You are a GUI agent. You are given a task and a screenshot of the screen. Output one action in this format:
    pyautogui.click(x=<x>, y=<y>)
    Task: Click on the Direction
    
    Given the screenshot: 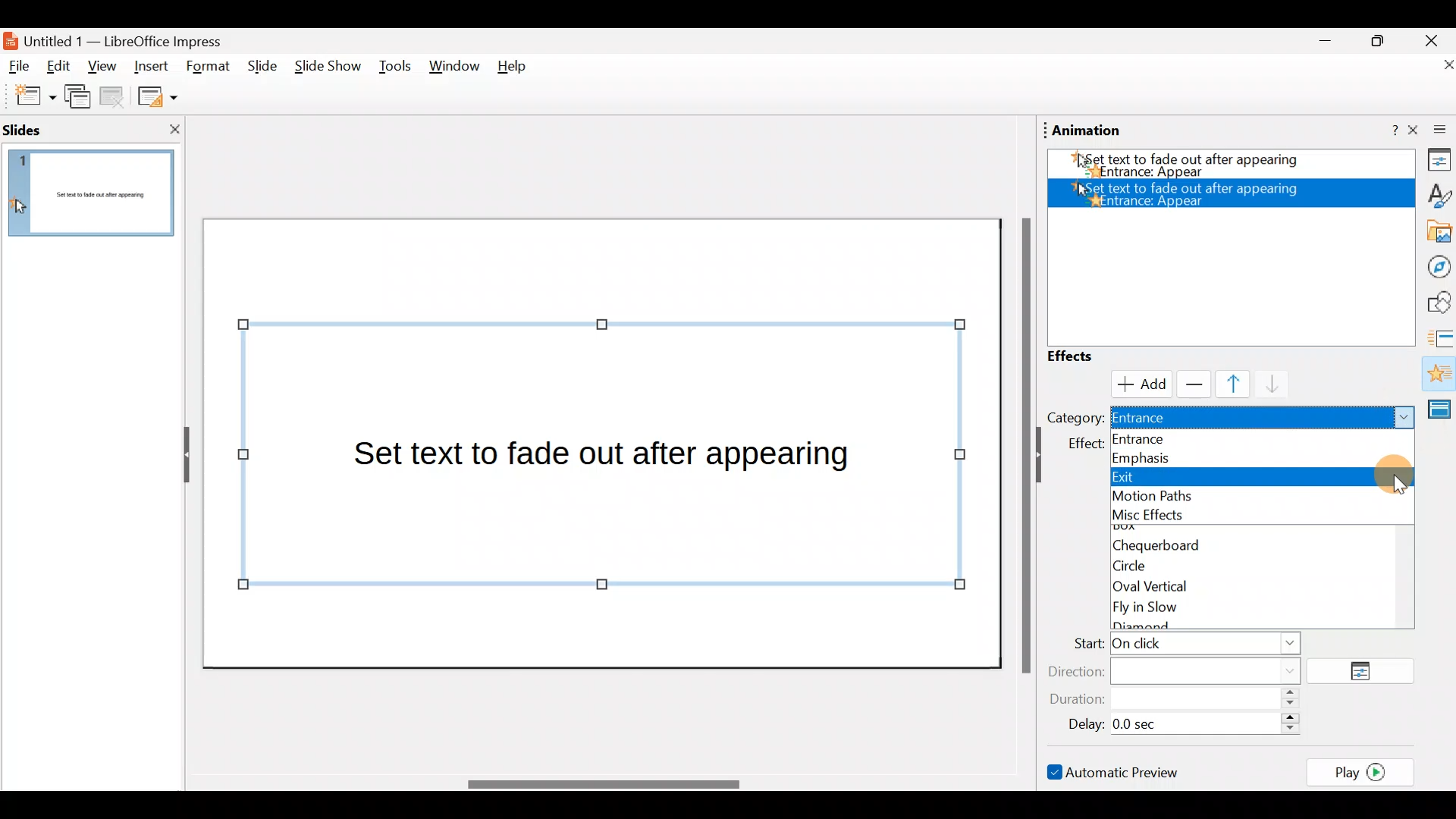 What is the action you would take?
    pyautogui.click(x=1184, y=670)
    